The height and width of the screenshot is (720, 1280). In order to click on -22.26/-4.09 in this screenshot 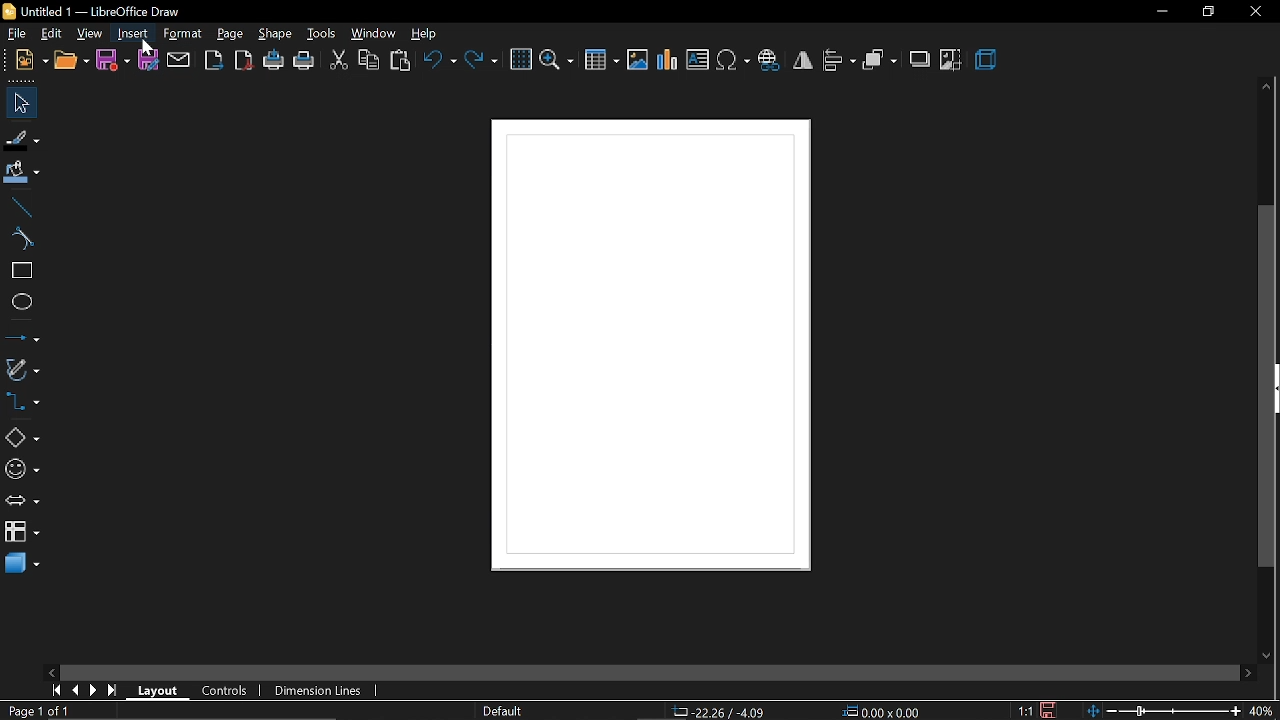, I will do `click(722, 712)`.